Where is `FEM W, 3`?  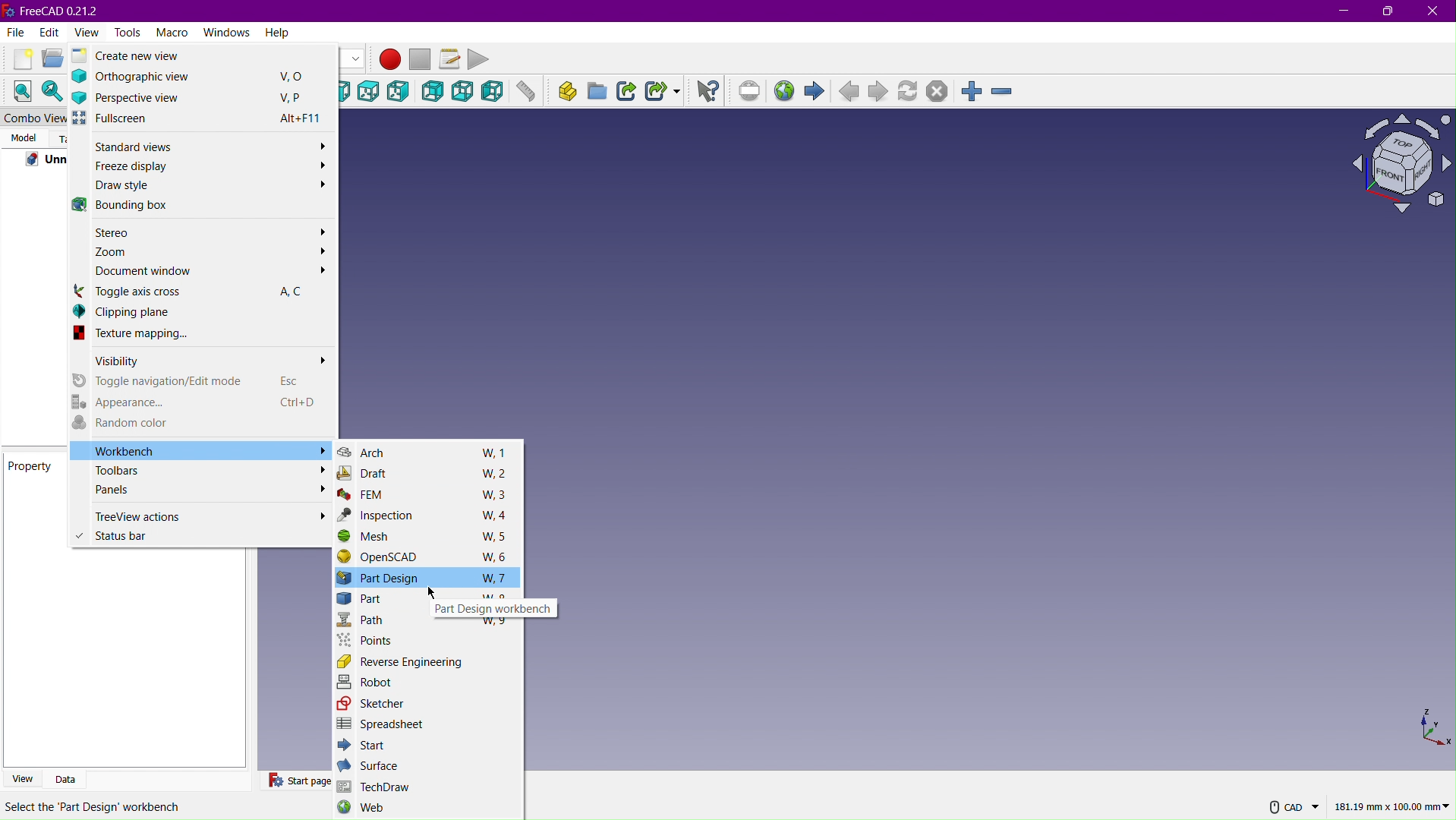 FEM W, 3 is located at coordinates (431, 496).